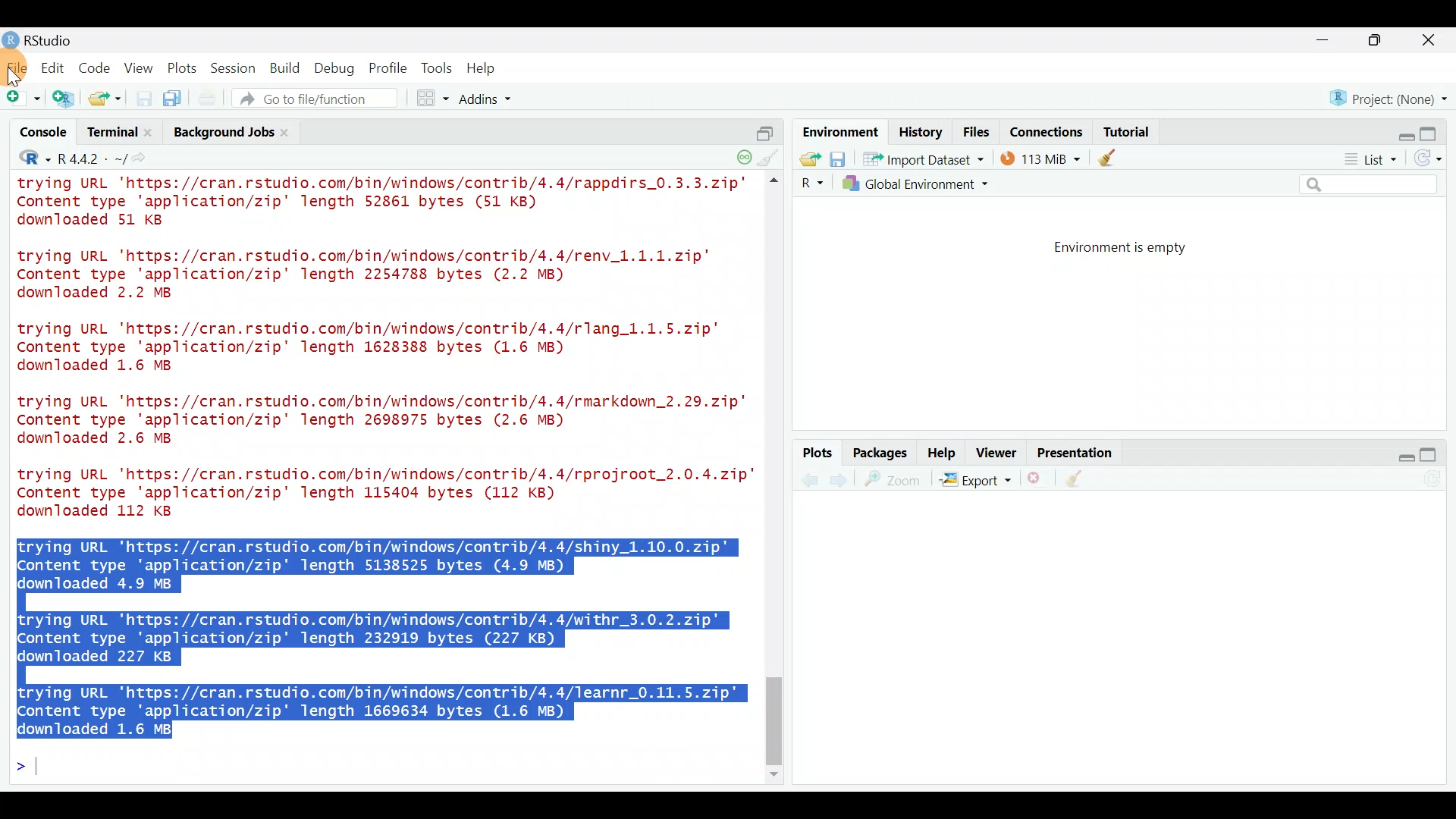 The height and width of the screenshot is (819, 1456). Describe the element at coordinates (236, 67) in the screenshot. I see `Session` at that location.